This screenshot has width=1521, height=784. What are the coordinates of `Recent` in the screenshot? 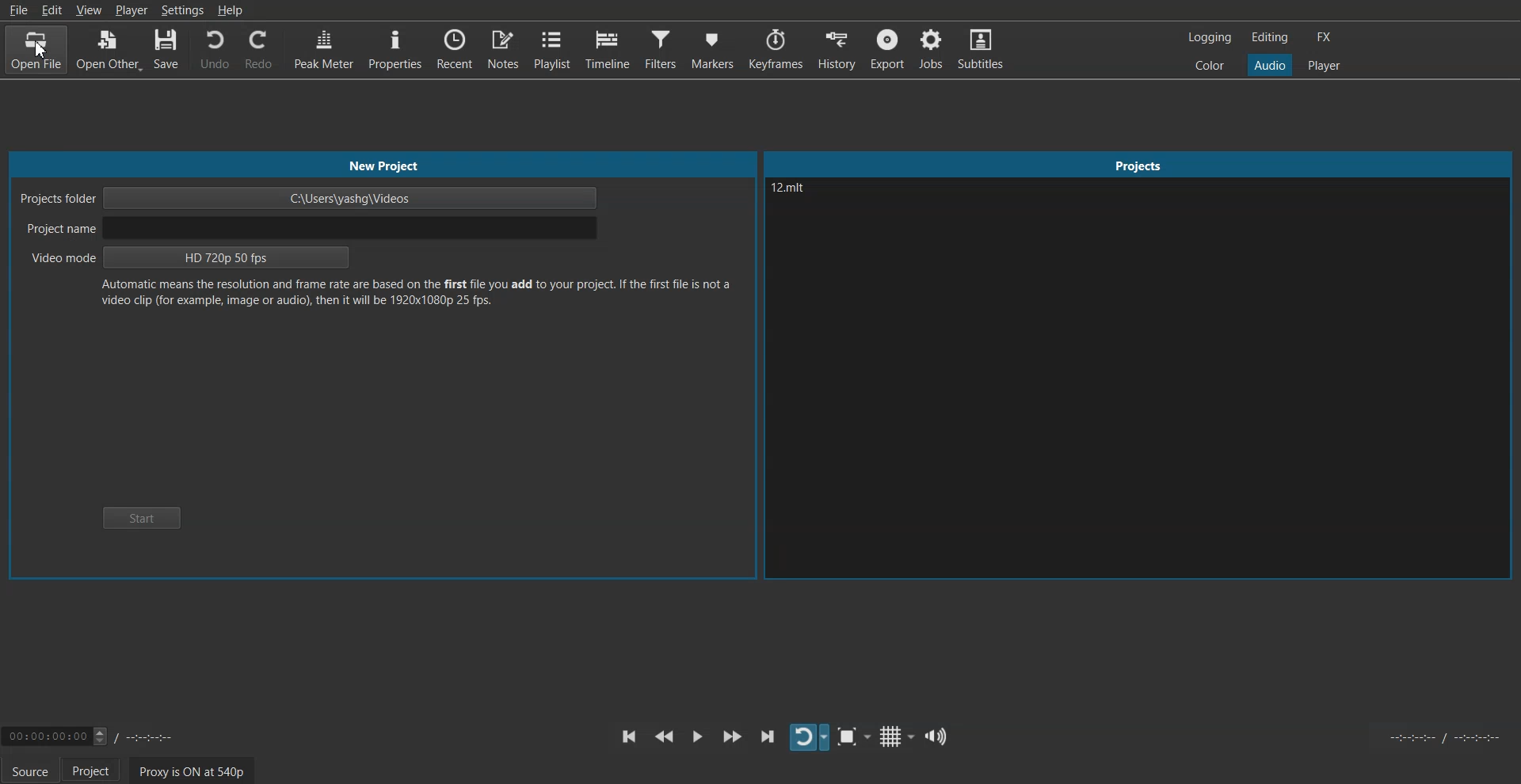 It's located at (455, 48).